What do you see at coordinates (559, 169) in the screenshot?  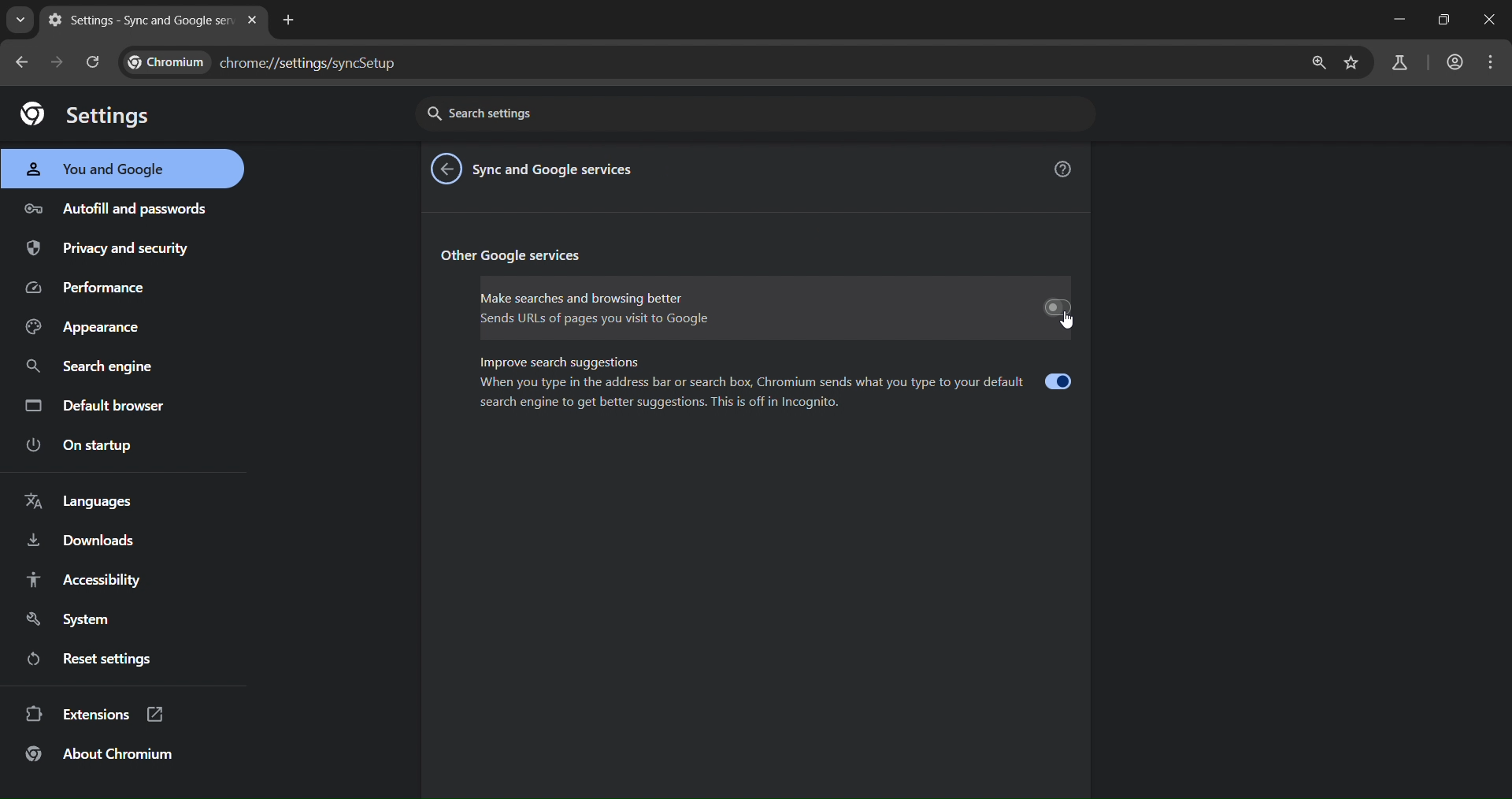 I see `Sync and Google services` at bounding box center [559, 169].